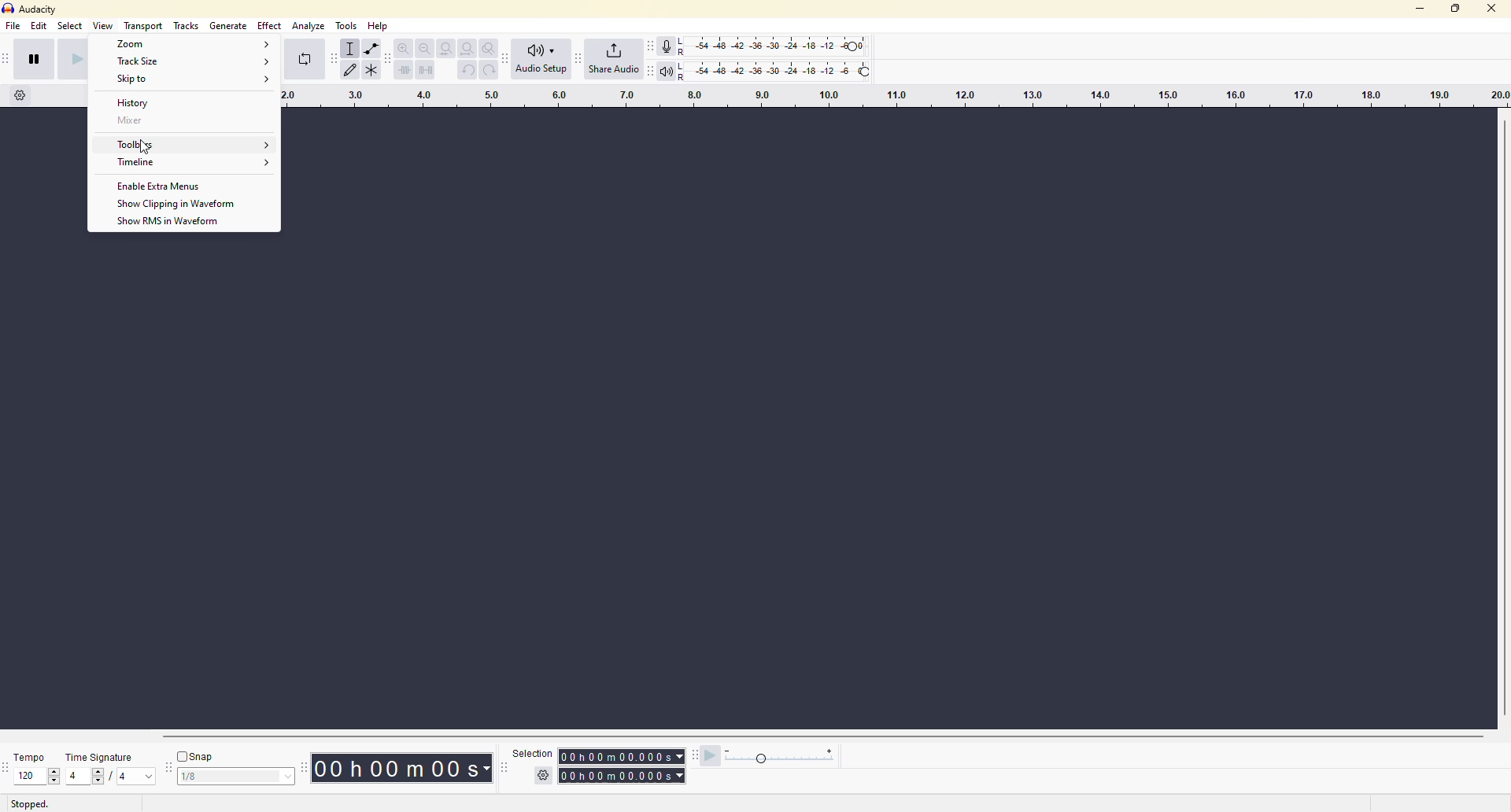 The image size is (1511, 812). Describe the element at coordinates (346, 27) in the screenshot. I see `tools` at that location.